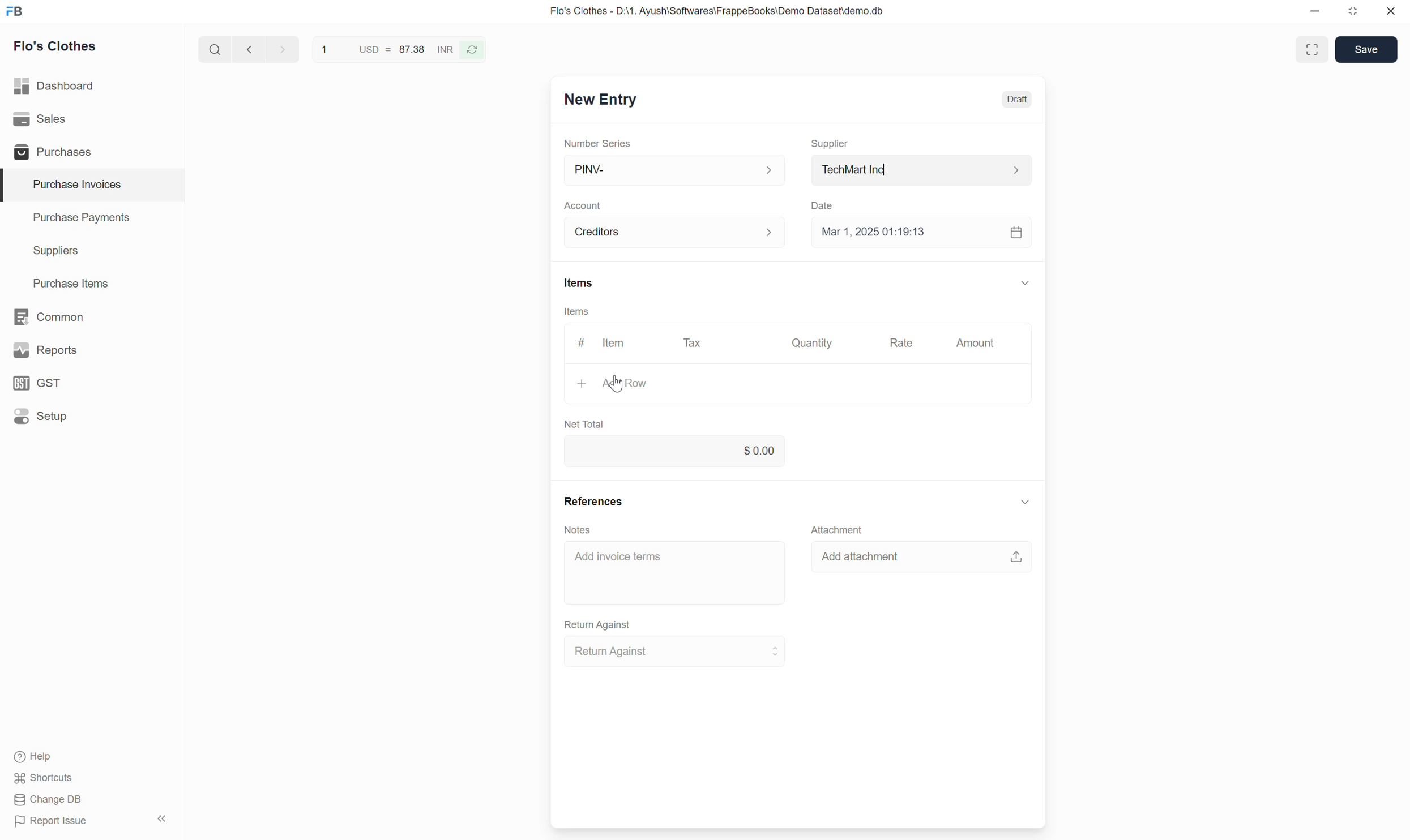  I want to click on Flo's Clothes, so click(57, 48).